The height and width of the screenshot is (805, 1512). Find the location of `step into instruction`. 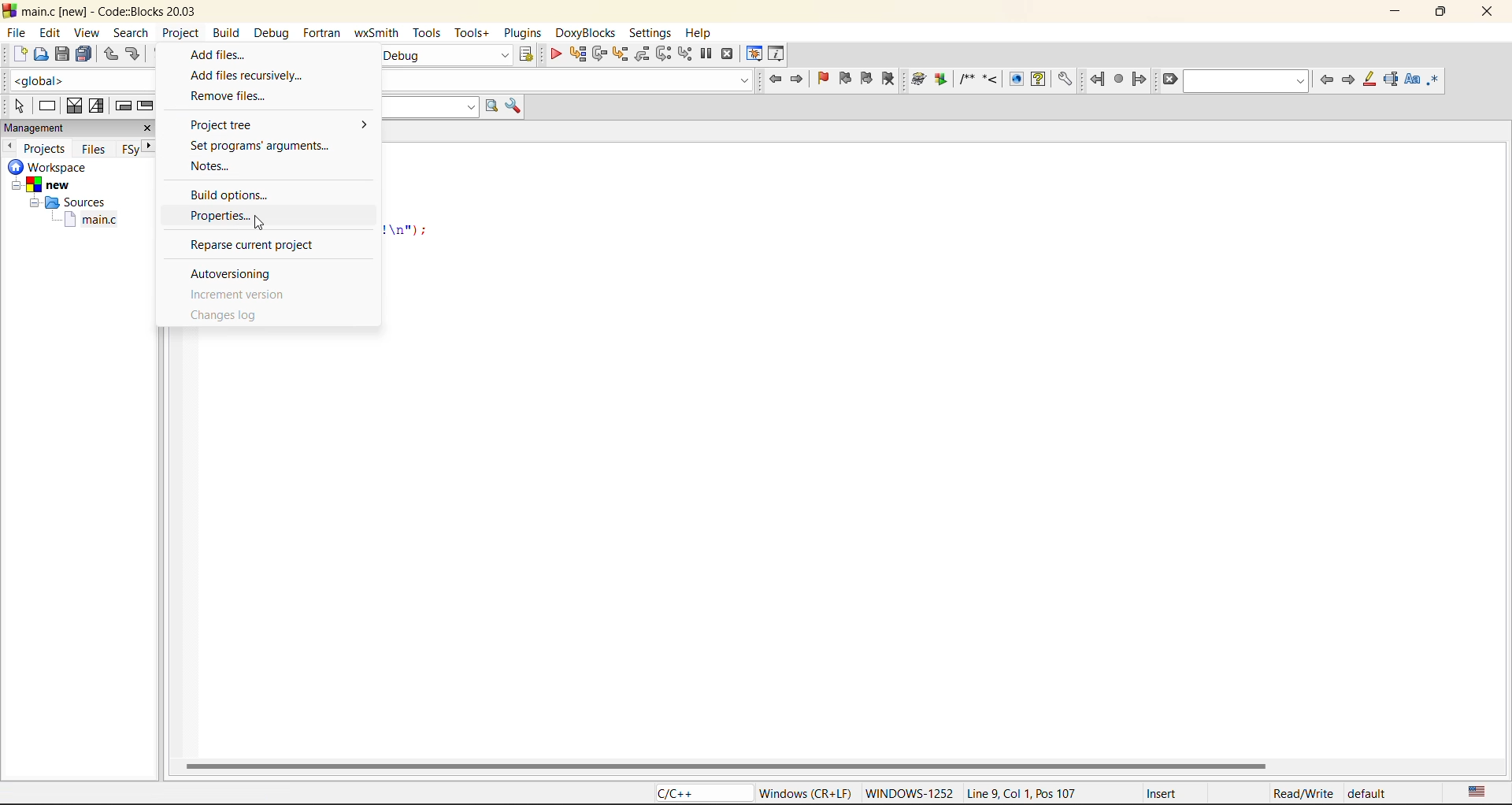

step into instruction is located at coordinates (685, 54).